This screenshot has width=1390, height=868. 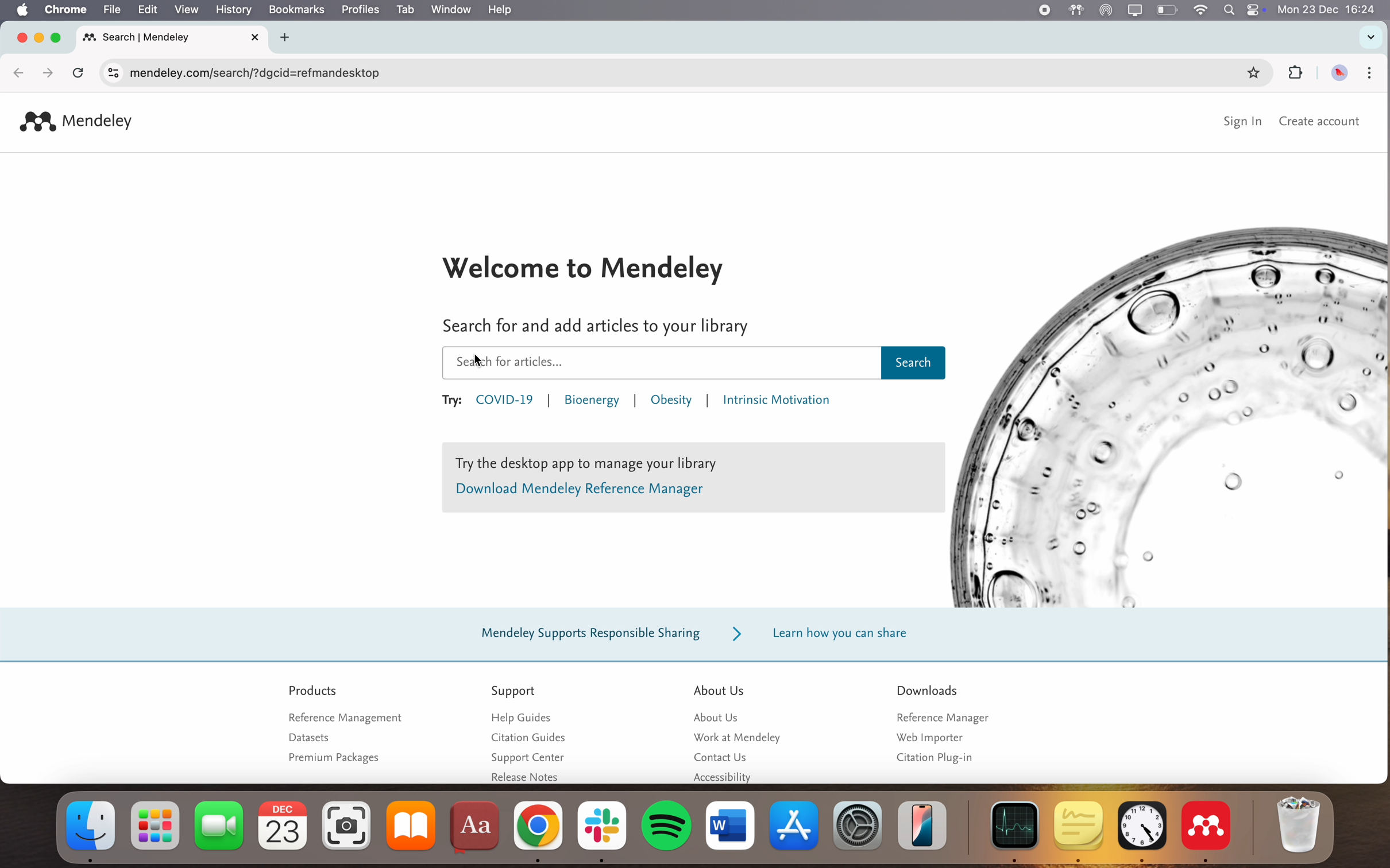 I want to click on obesity, so click(x=673, y=401).